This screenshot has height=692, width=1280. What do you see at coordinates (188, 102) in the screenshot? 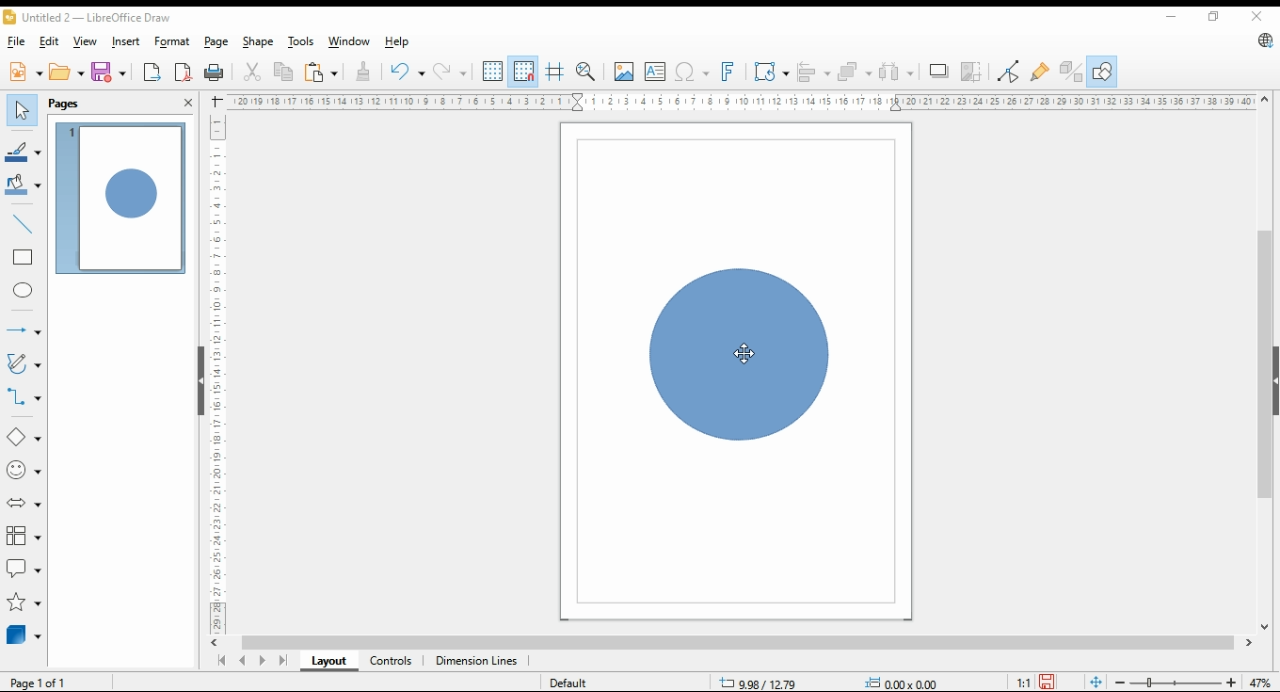
I see `close pane` at bounding box center [188, 102].